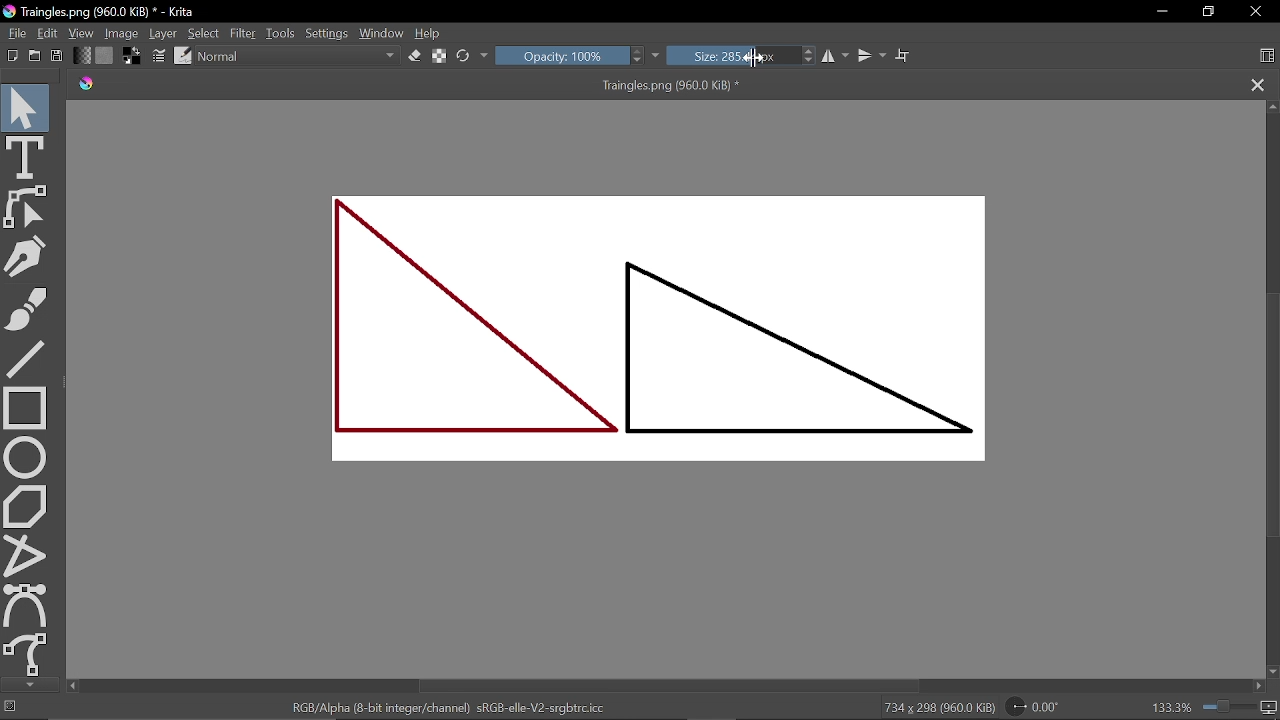 Image resolution: width=1280 pixels, height=720 pixels. I want to click on Close tab, so click(1256, 85).